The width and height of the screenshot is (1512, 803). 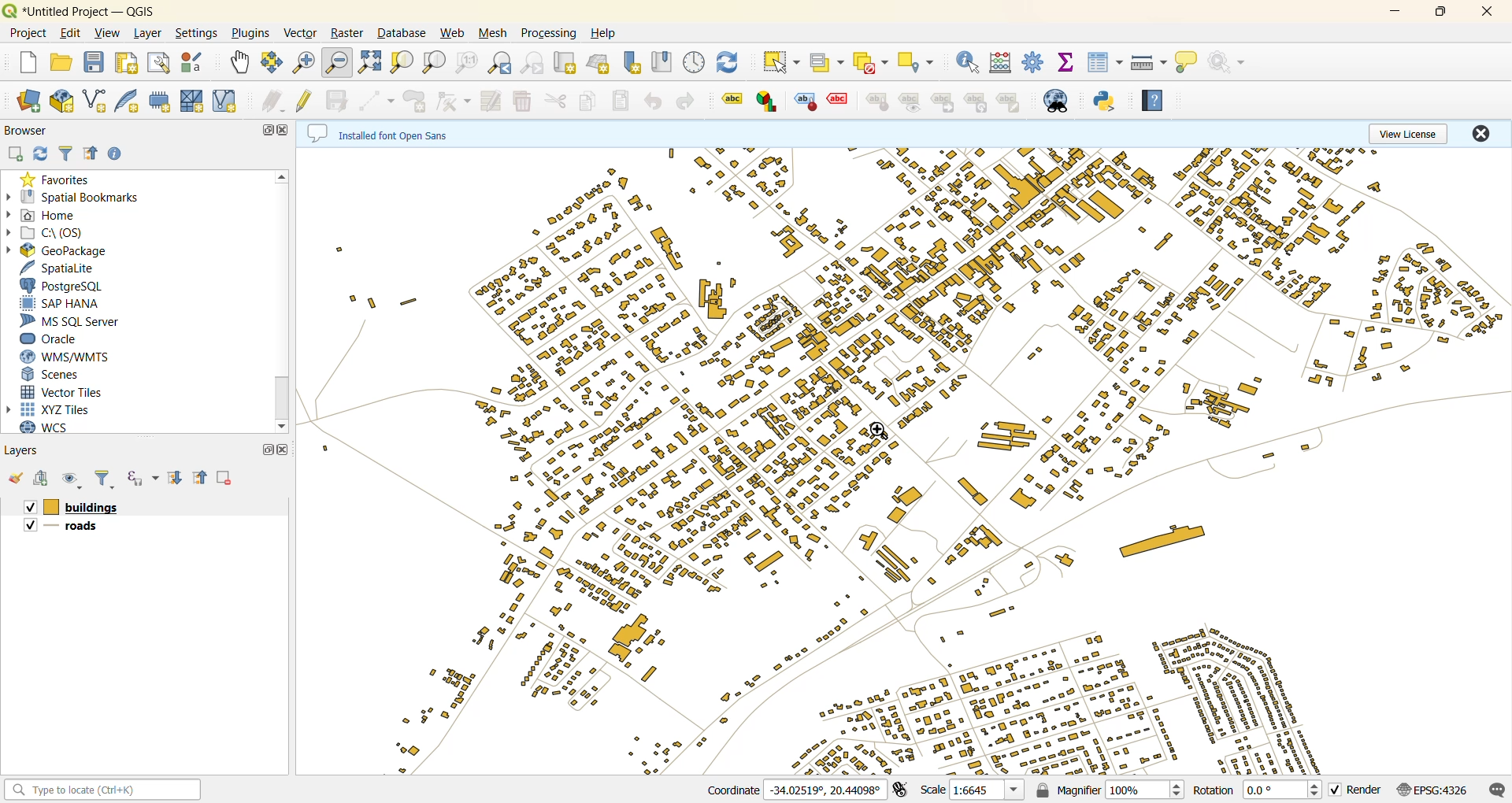 I want to click on measure line, so click(x=1149, y=64).